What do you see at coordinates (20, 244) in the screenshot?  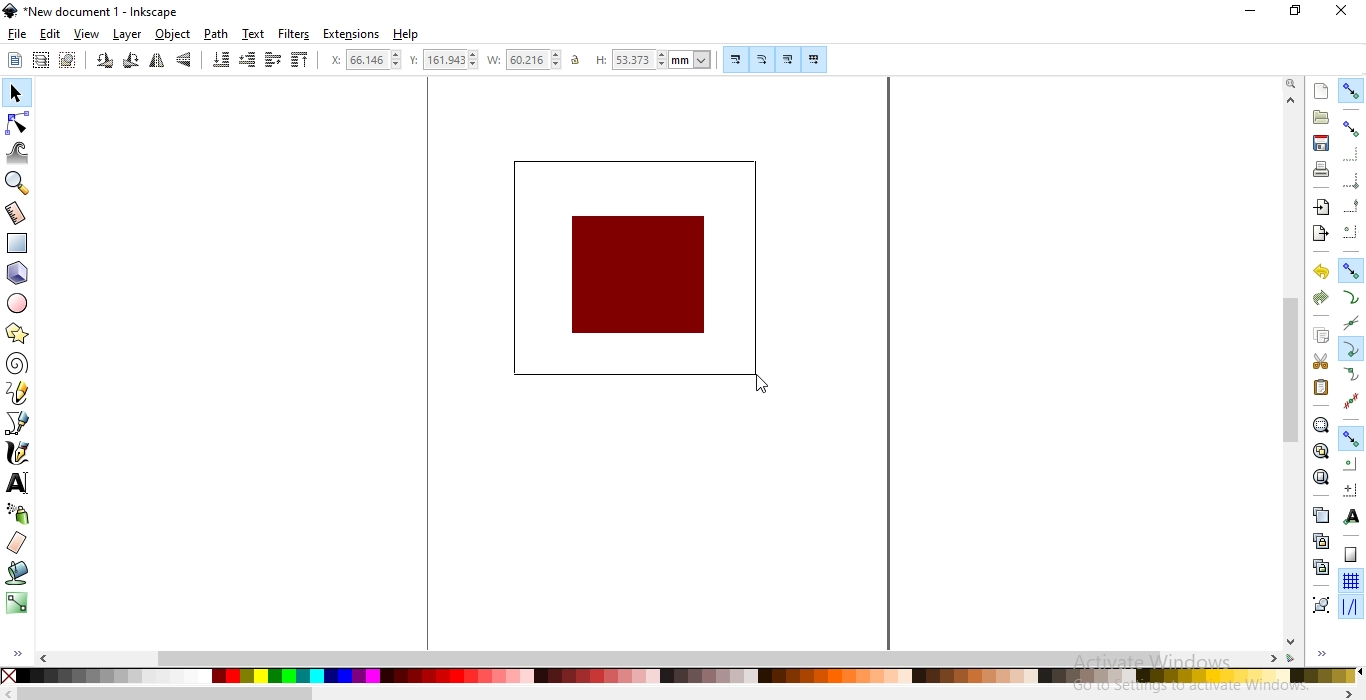 I see `create rectangles and squares` at bounding box center [20, 244].